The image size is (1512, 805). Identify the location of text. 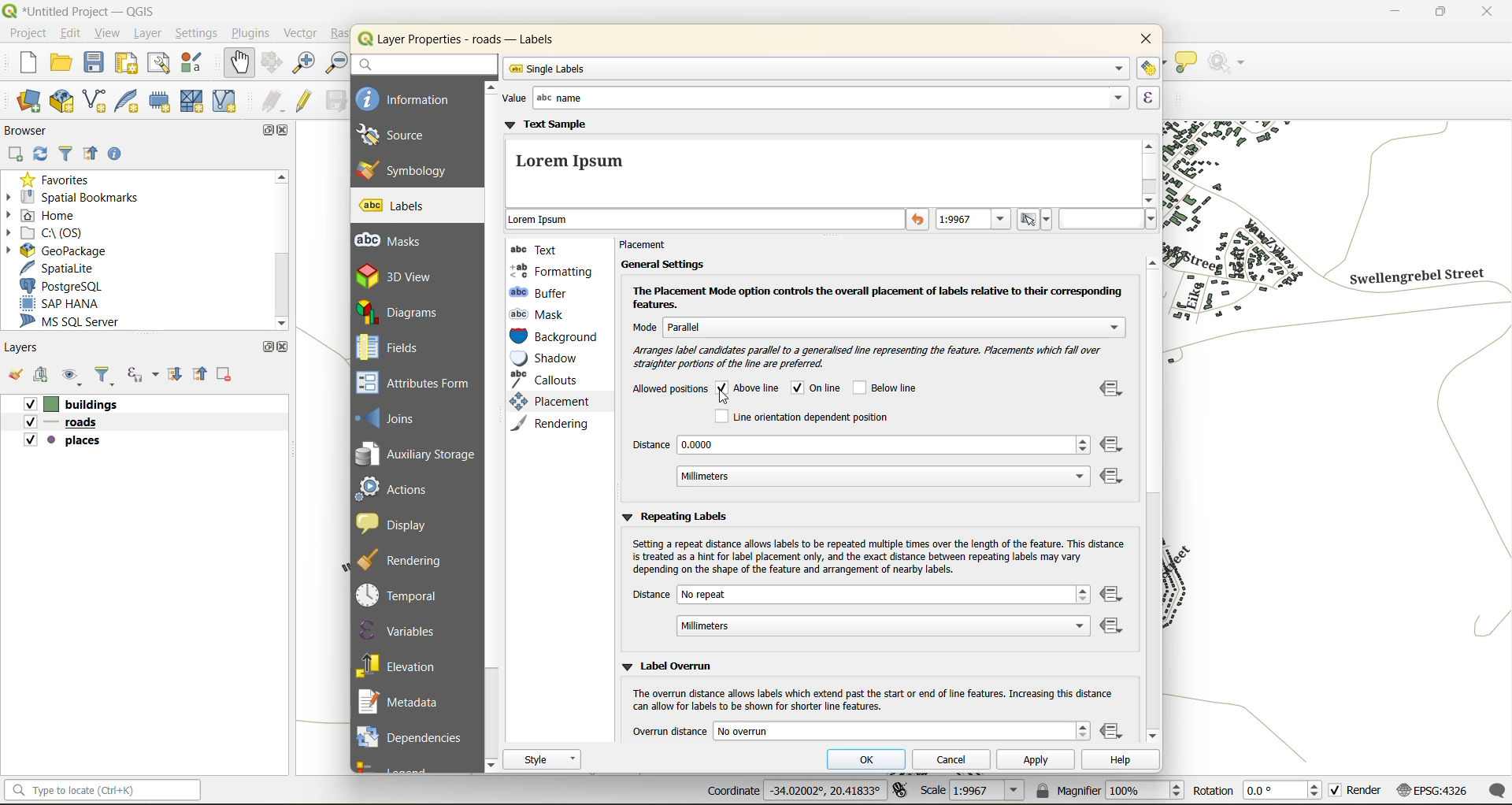
(538, 249).